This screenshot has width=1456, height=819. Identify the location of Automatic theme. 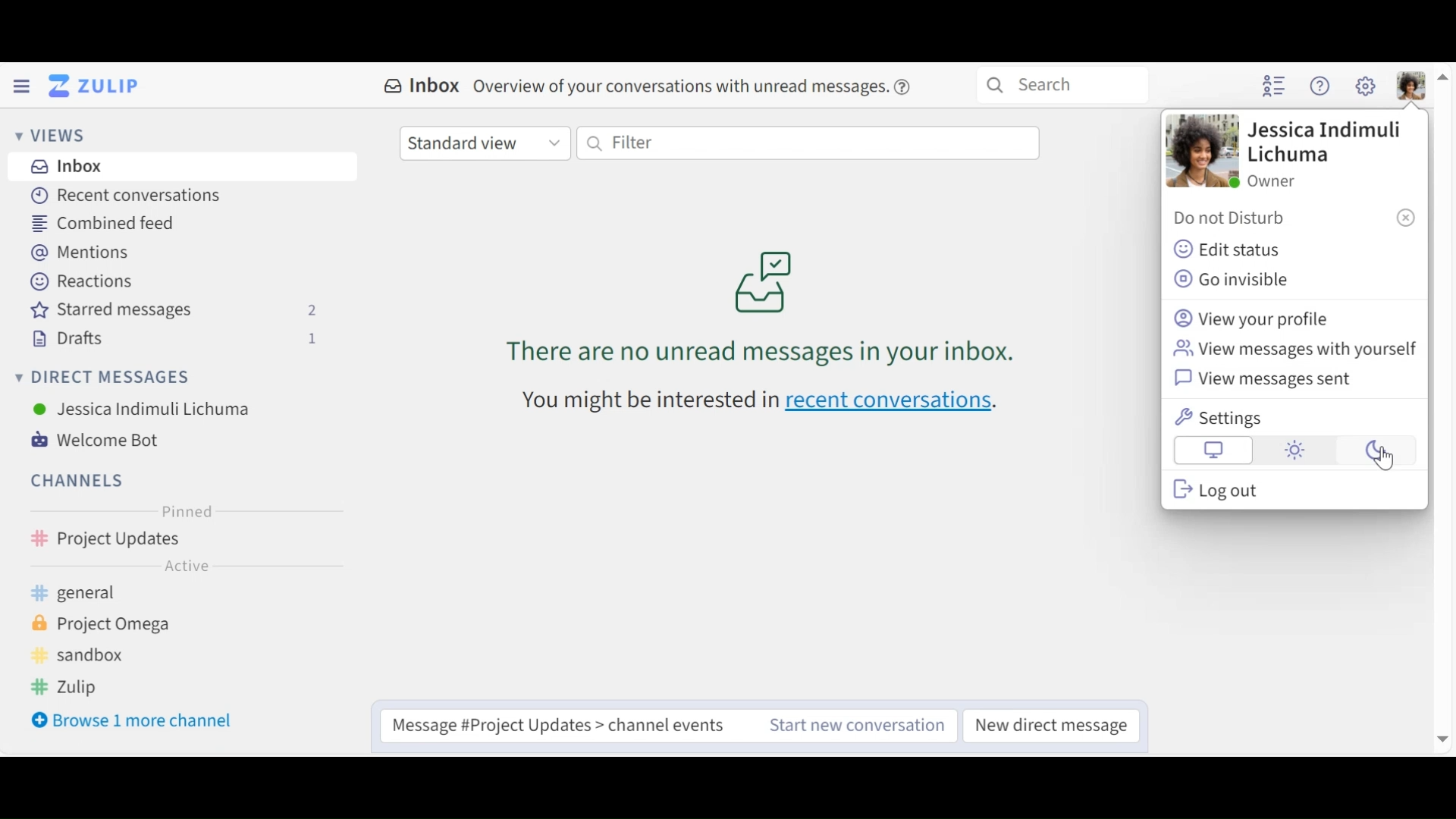
(1214, 451).